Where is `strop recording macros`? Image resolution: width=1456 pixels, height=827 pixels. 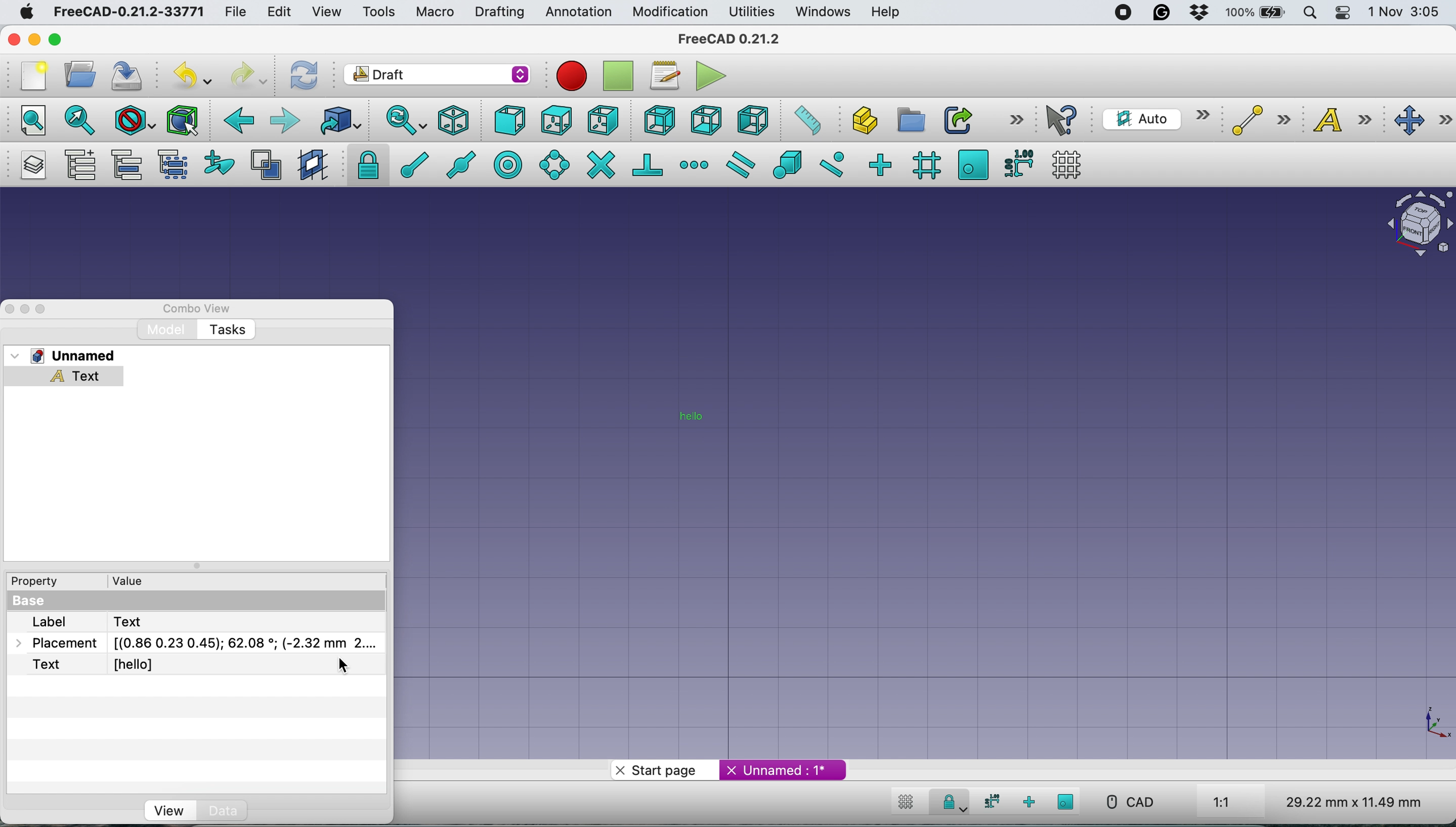
strop recording macros is located at coordinates (621, 75).